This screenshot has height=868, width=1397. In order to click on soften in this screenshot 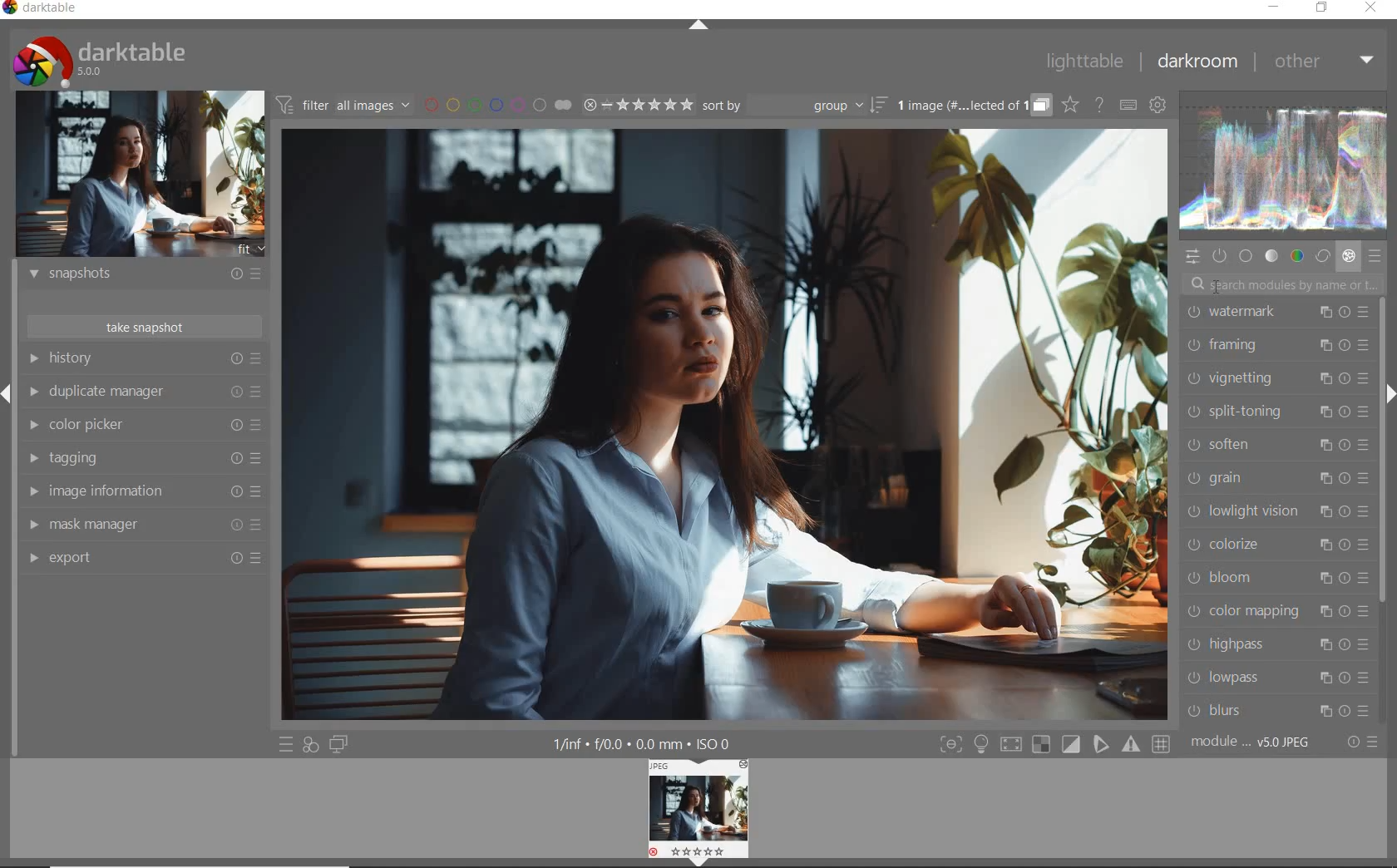, I will do `click(1278, 445)`.